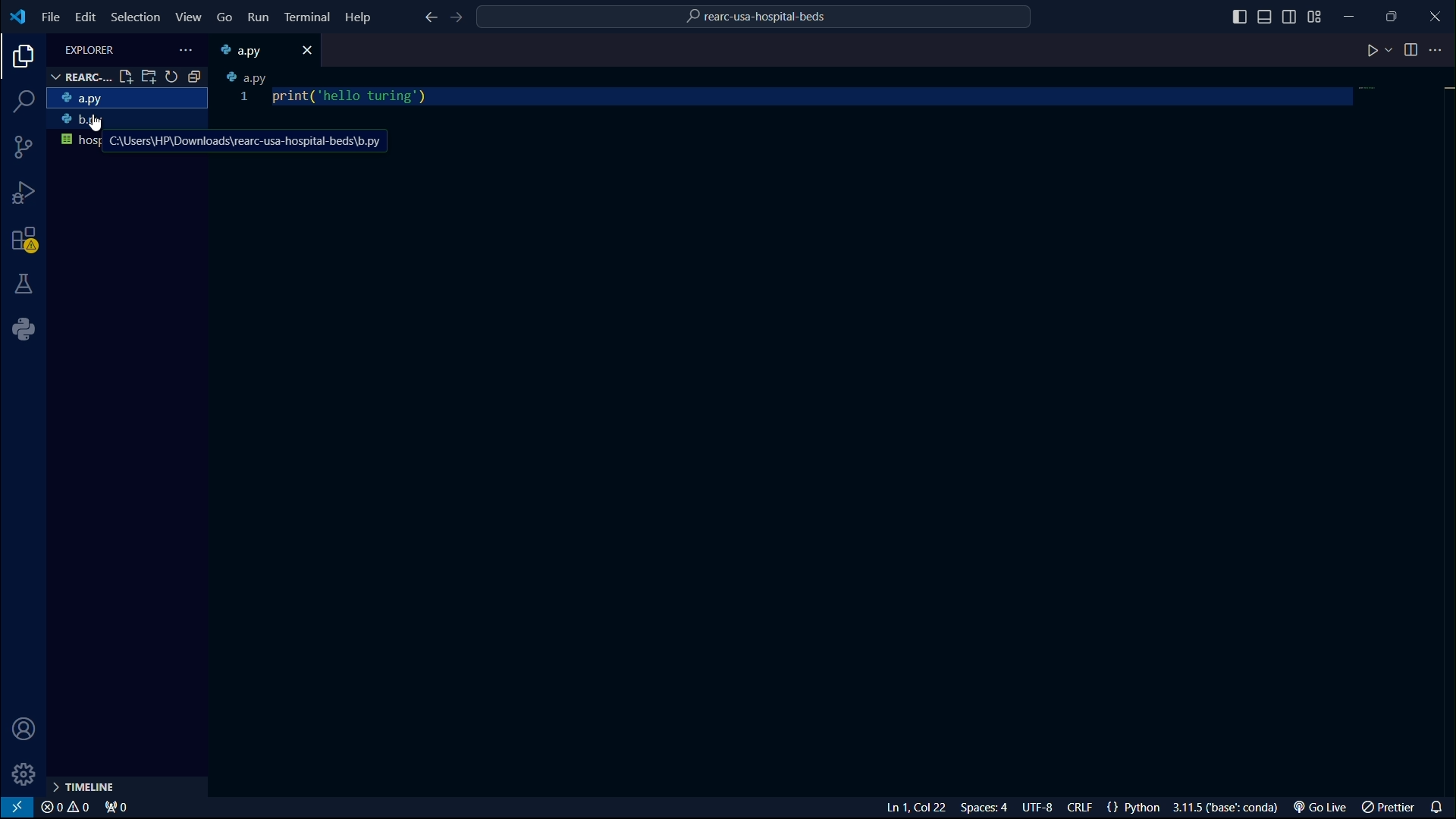  Describe the element at coordinates (1134, 808) in the screenshot. I see `{} Python` at that location.